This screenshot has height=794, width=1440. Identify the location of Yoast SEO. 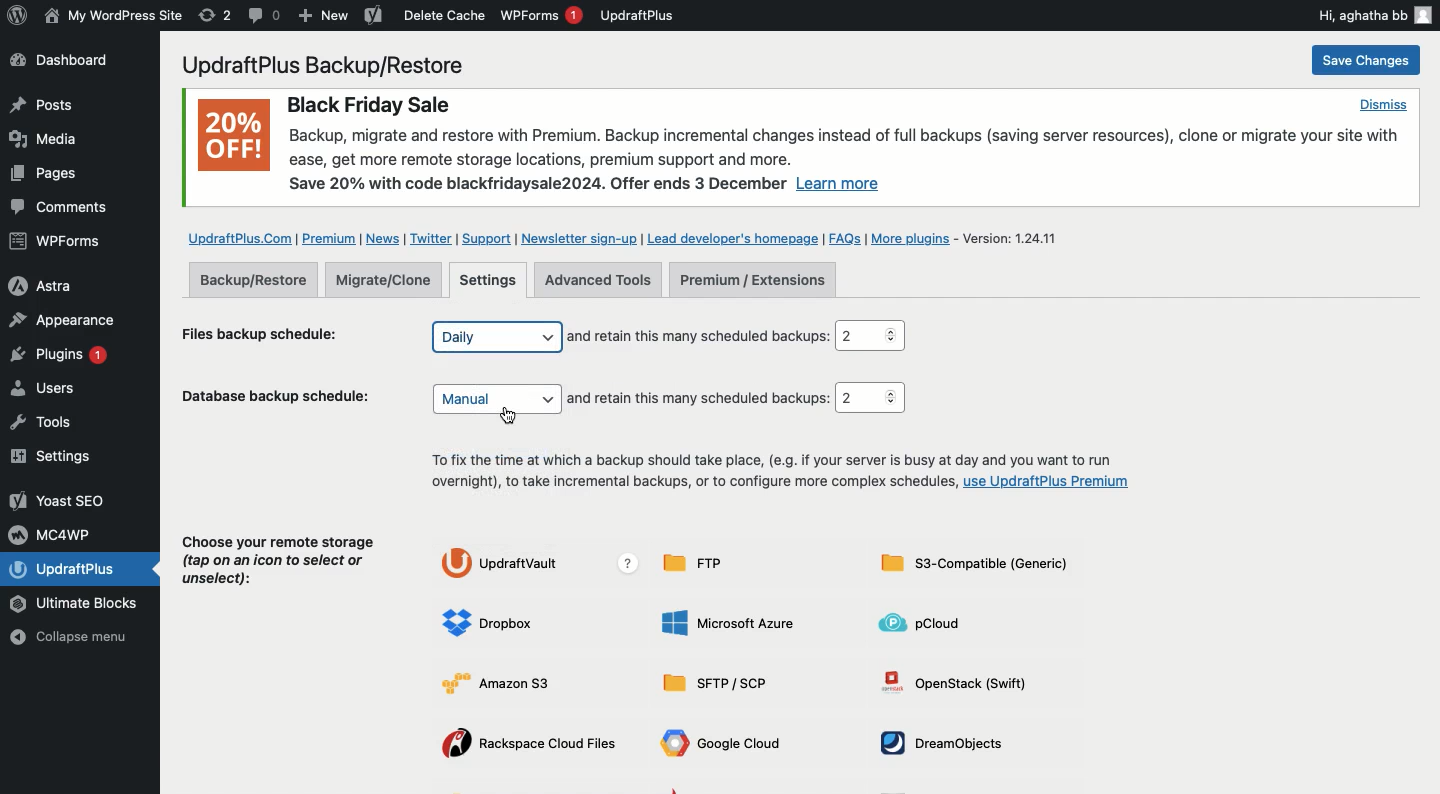
(60, 500).